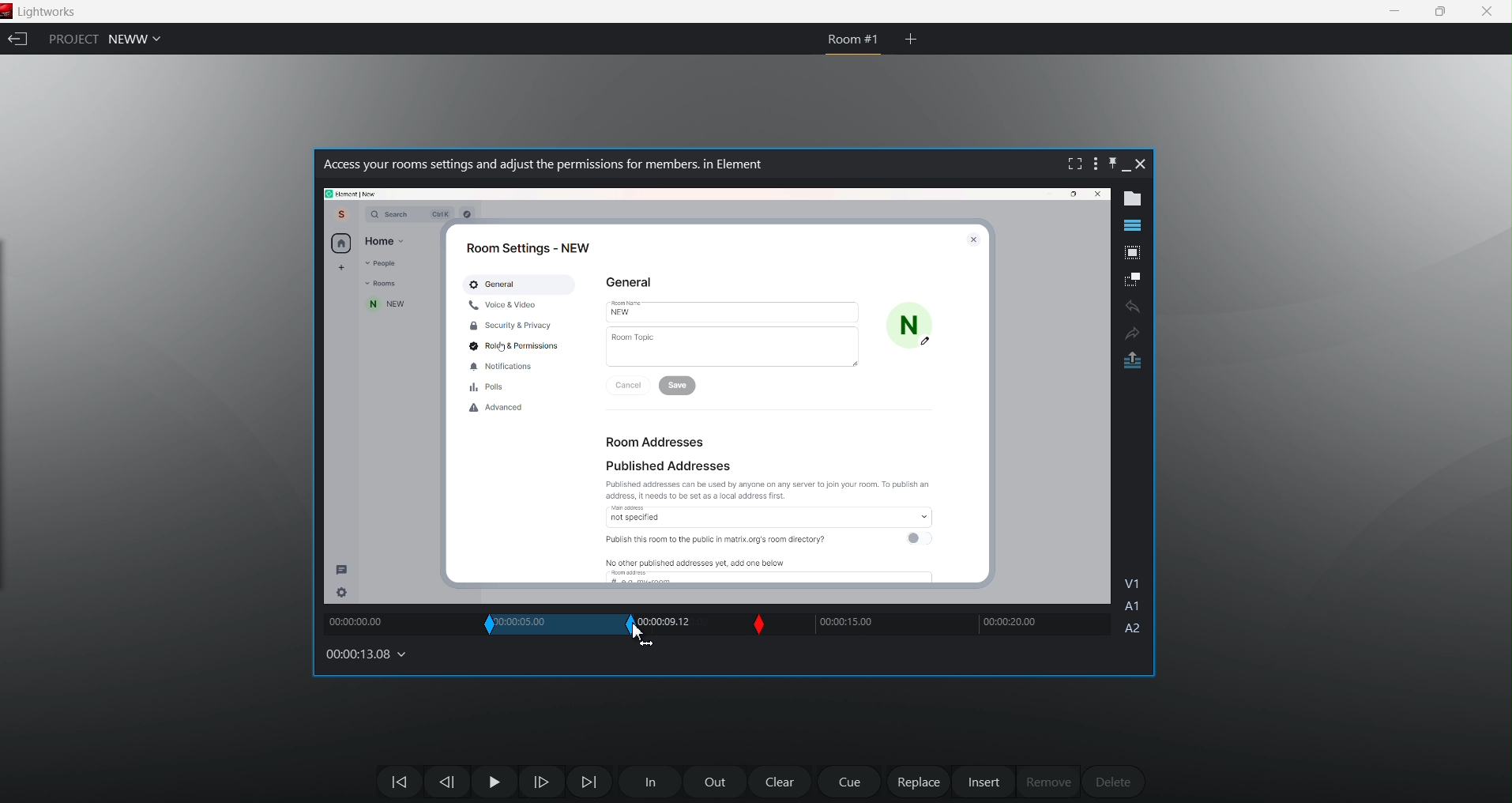 Image resolution: width=1512 pixels, height=803 pixels. I want to click on Published addresses can be used by anyone on any server to join your room. To publish an address. tt needs to be set as a local address first., so click(769, 489).